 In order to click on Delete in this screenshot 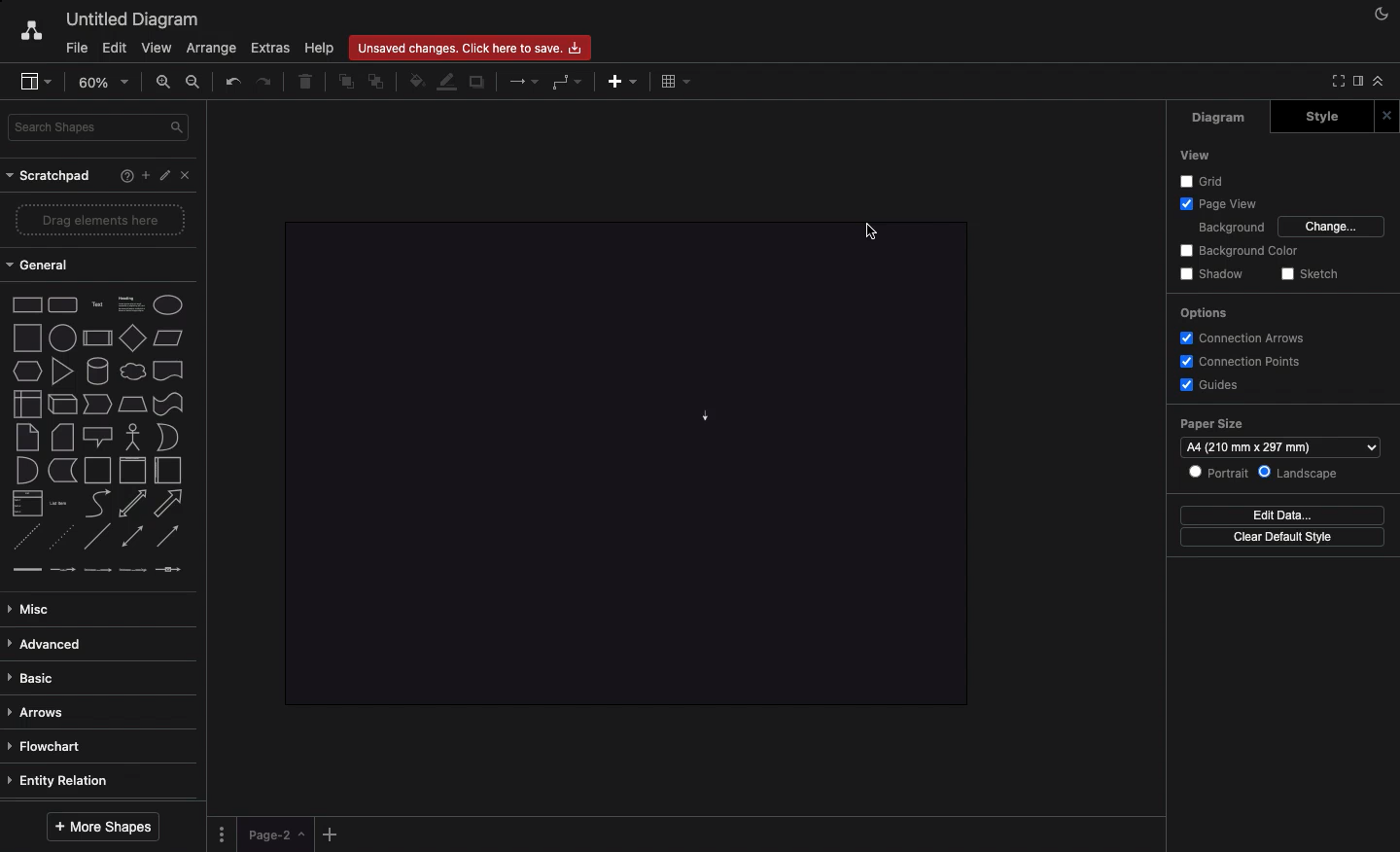, I will do `click(306, 83)`.